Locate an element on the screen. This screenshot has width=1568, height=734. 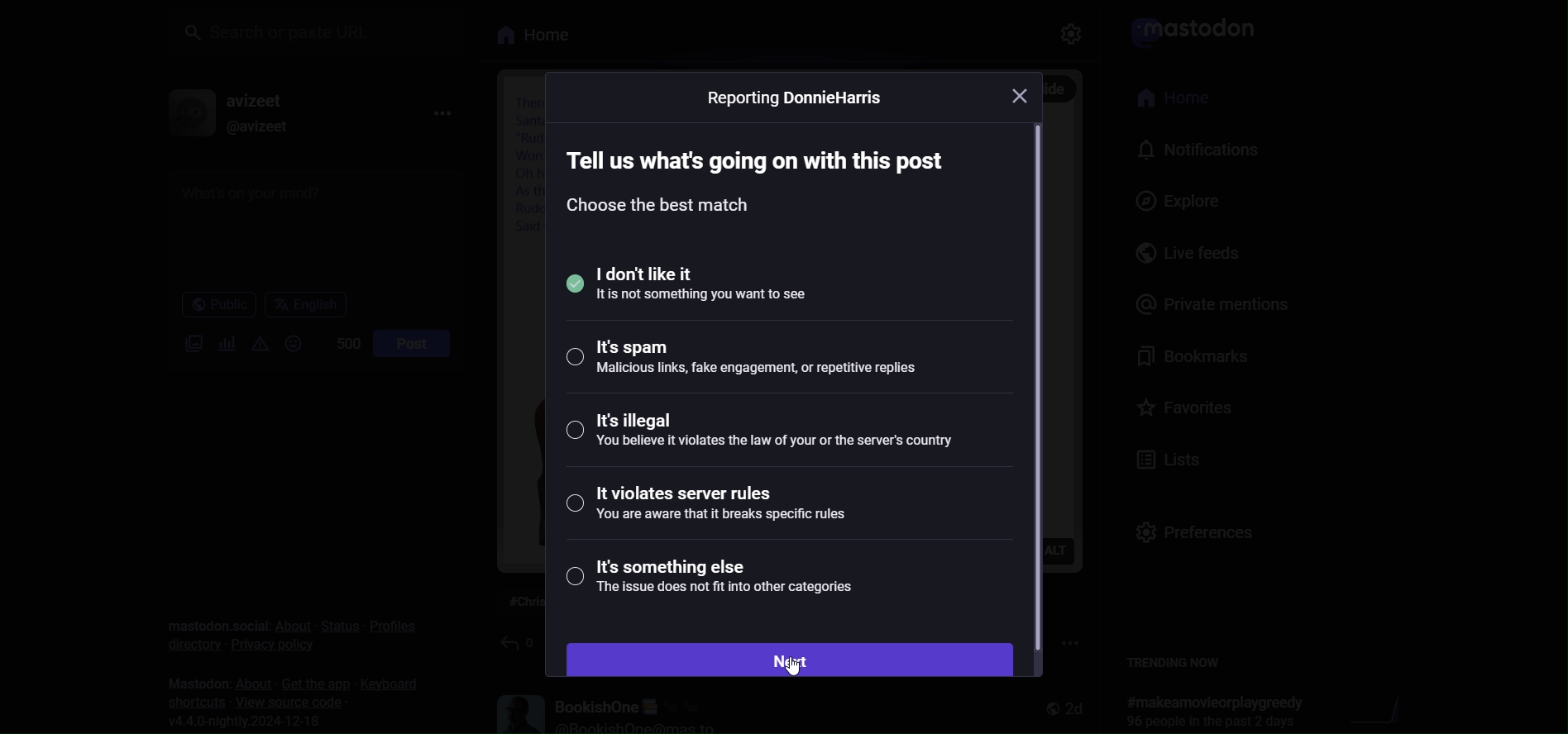
mastodon is located at coordinates (1188, 30).